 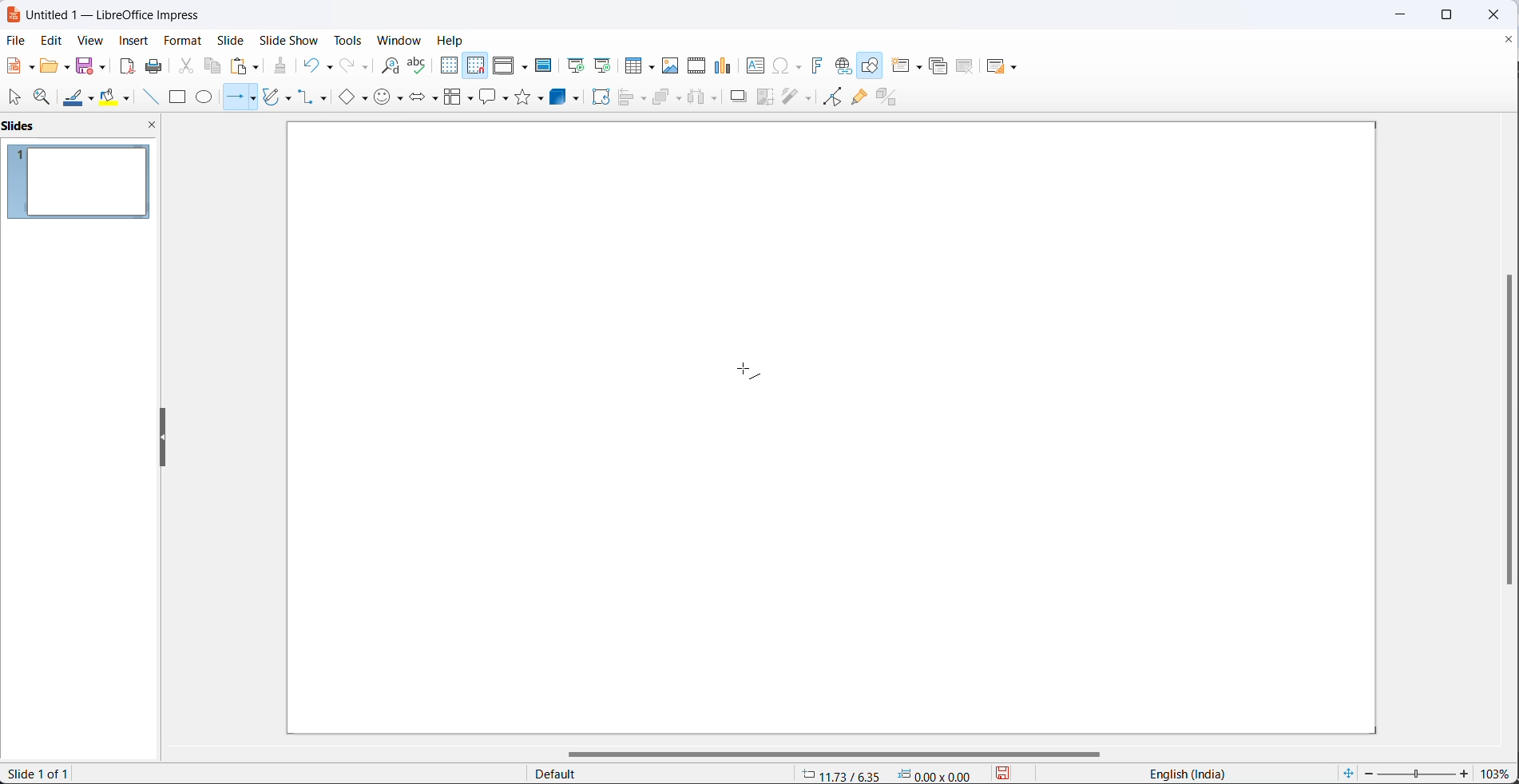 What do you see at coordinates (452, 41) in the screenshot?
I see `Help` at bounding box center [452, 41].